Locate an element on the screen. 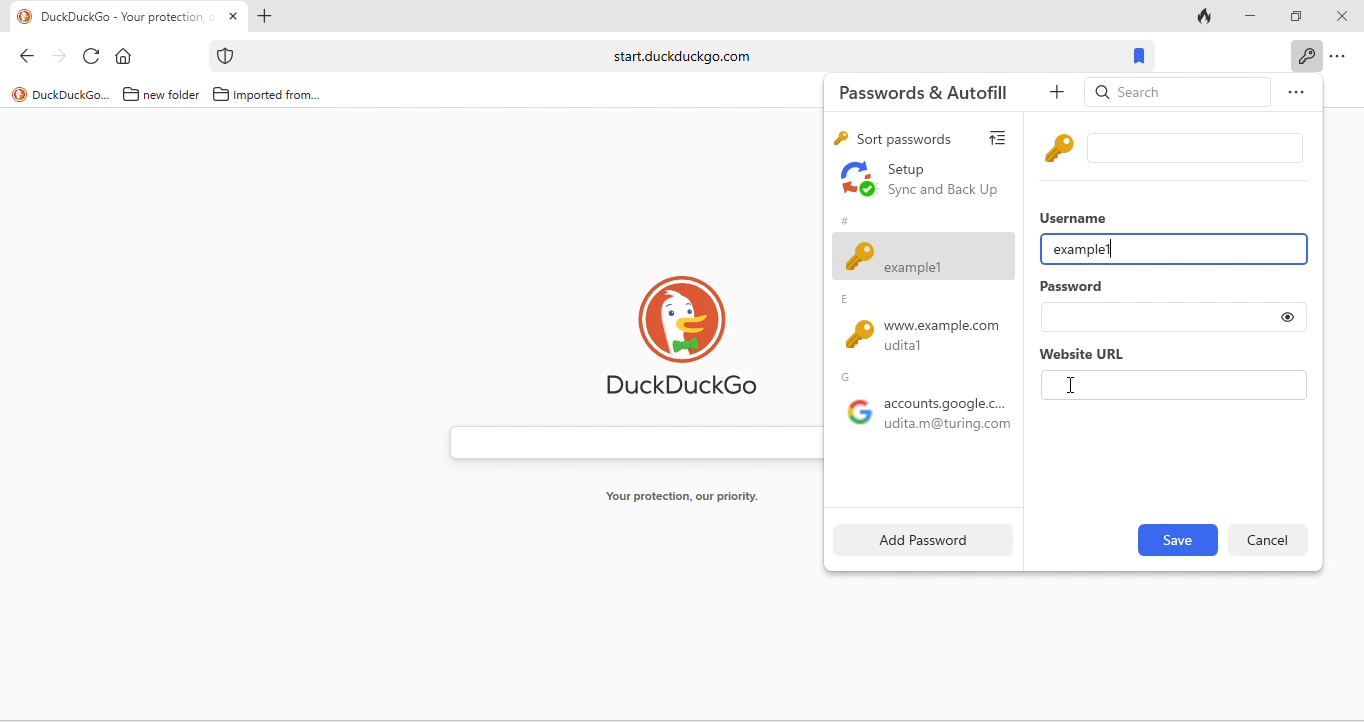 The height and width of the screenshot is (722, 1364). home is located at coordinates (125, 55).